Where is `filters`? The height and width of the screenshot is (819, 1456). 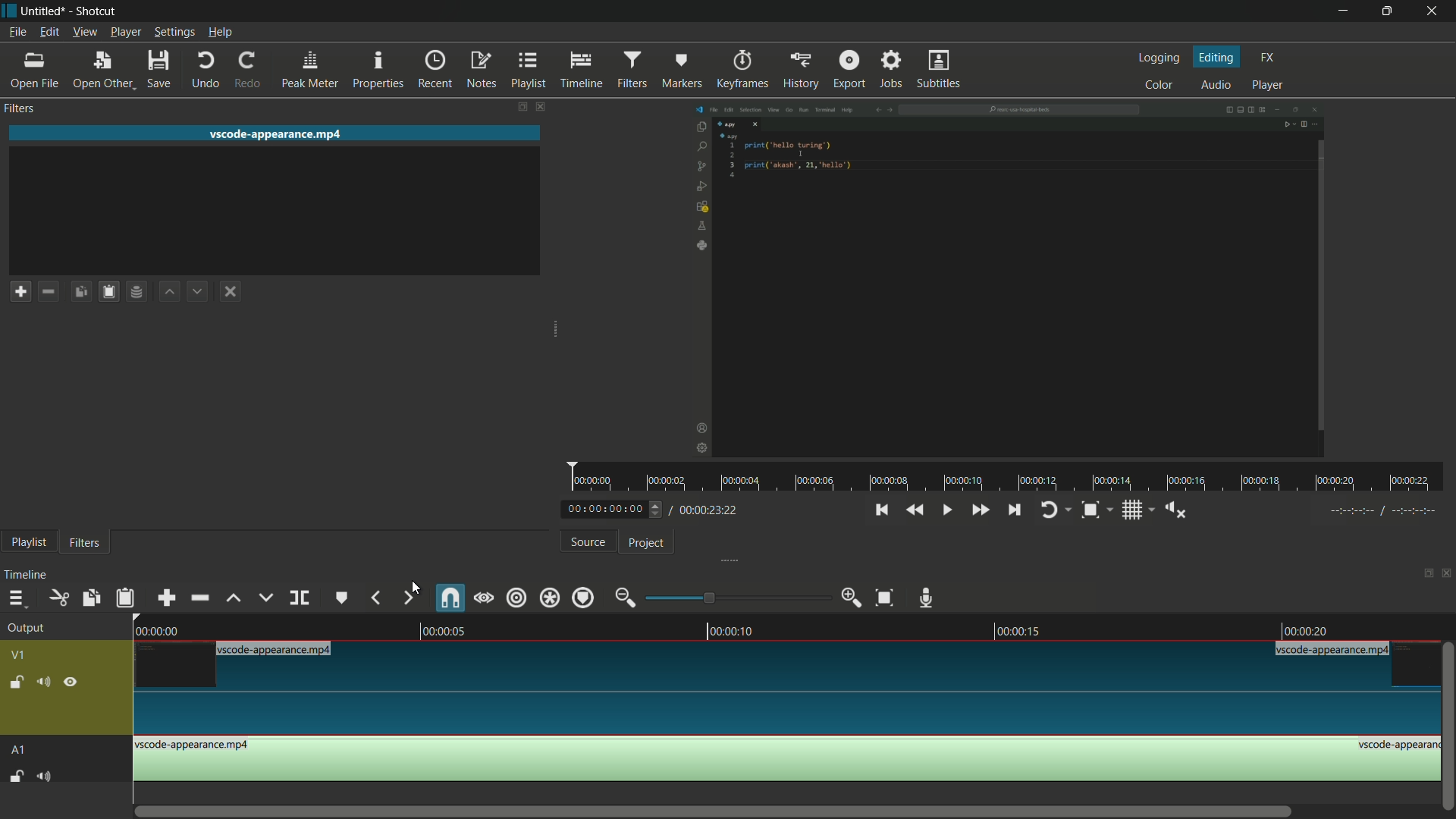 filters is located at coordinates (86, 542).